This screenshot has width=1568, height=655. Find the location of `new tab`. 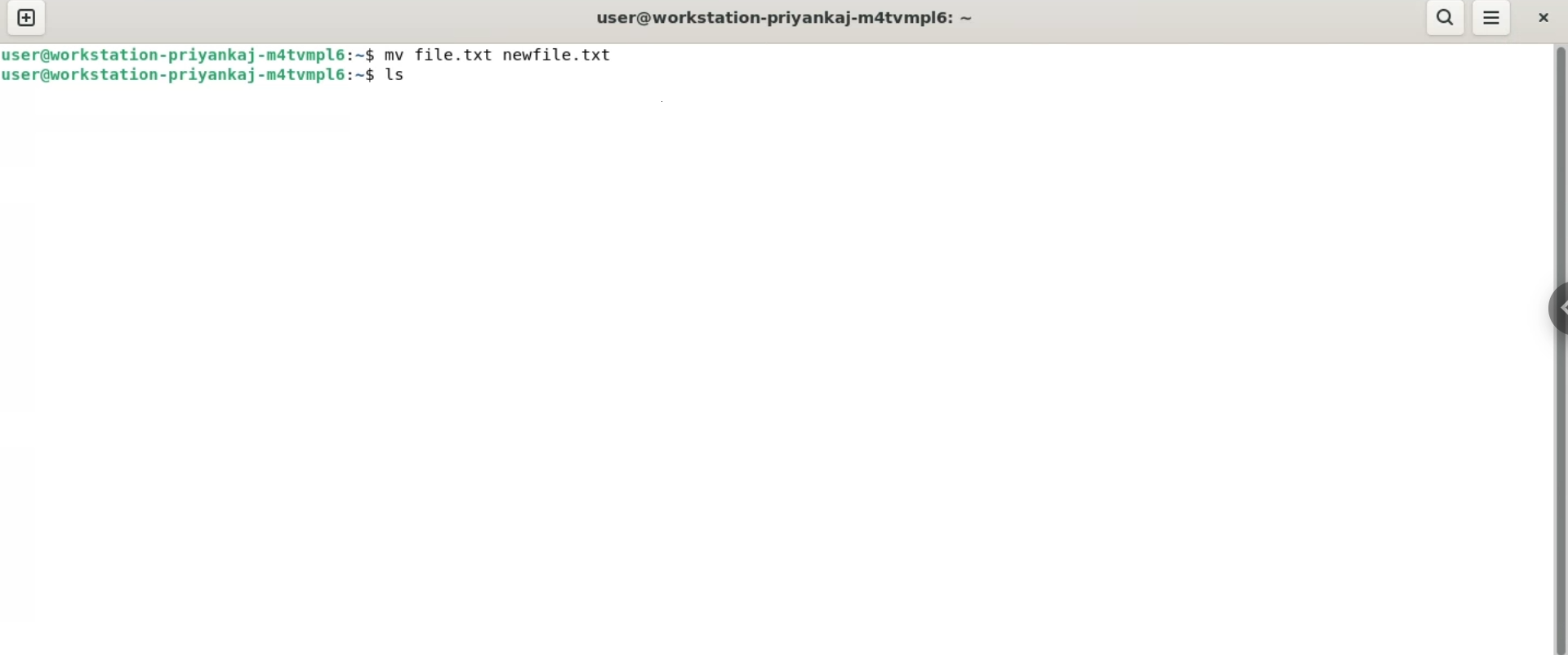

new tab is located at coordinates (25, 20).